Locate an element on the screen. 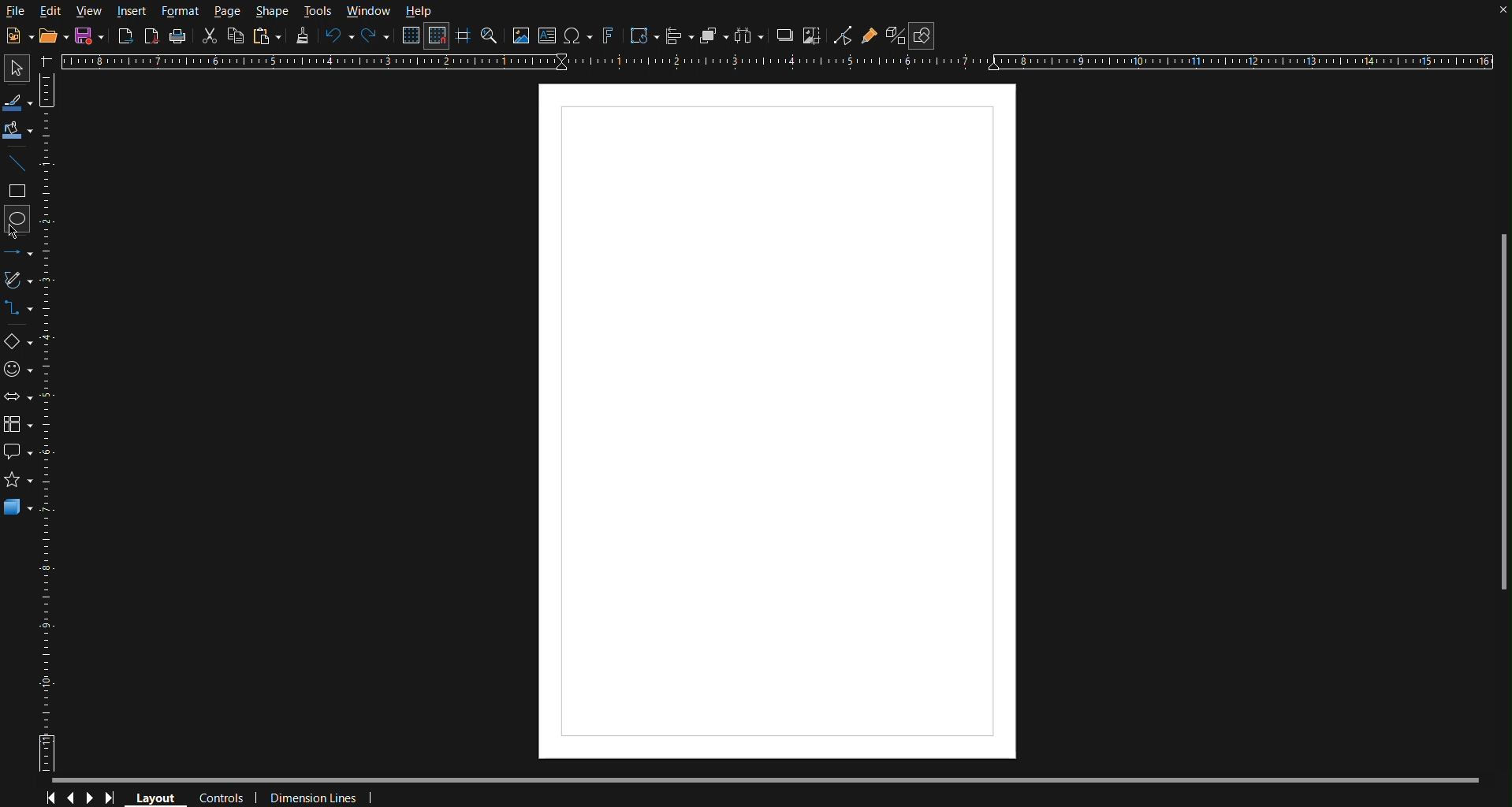 The image size is (1512, 807). Tools is located at coordinates (319, 9).